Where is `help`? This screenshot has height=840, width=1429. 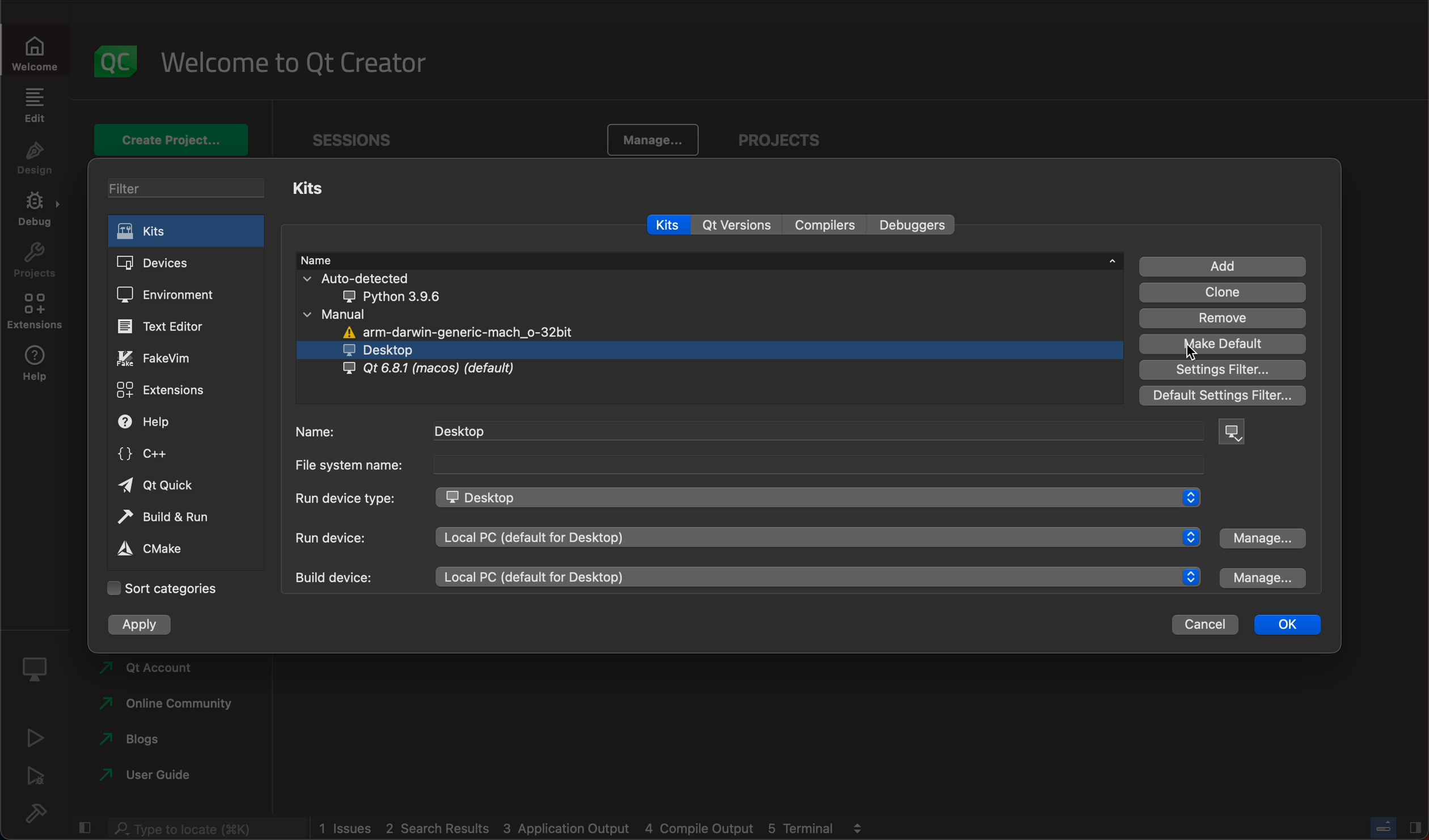 help is located at coordinates (167, 423).